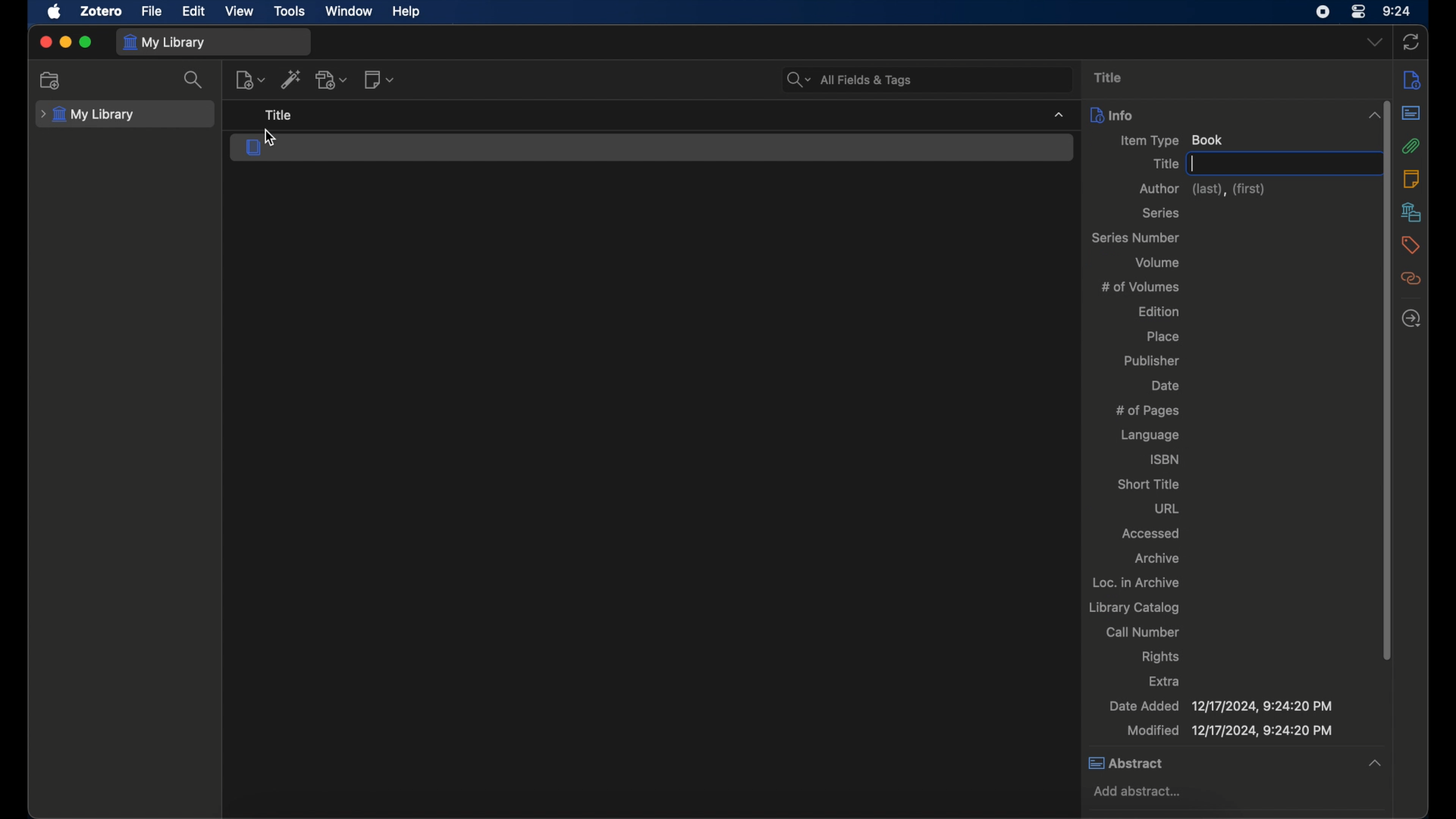 This screenshot has width=1456, height=819. I want to click on view, so click(238, 11).